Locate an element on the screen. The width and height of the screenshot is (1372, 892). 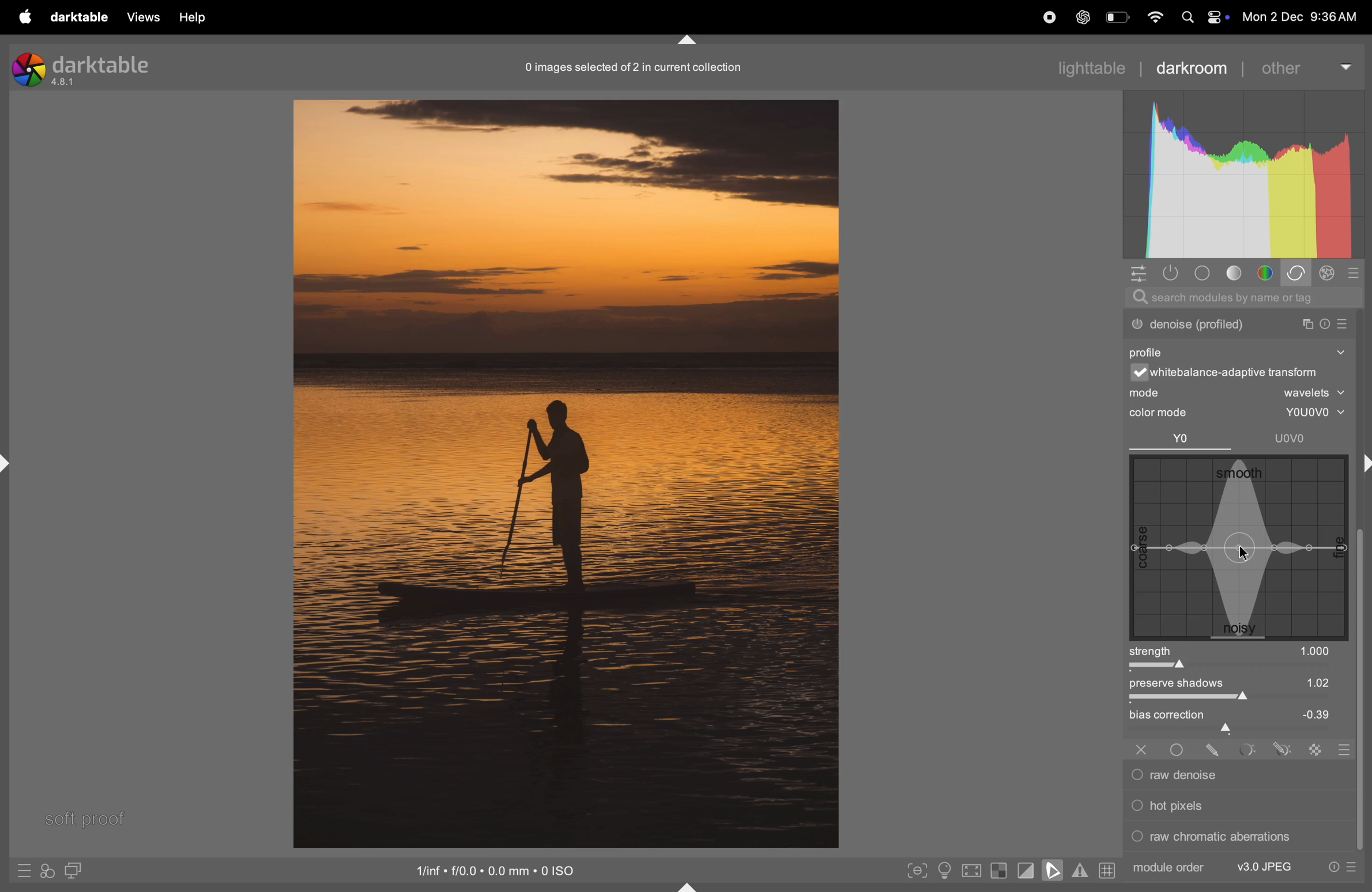
mode is located at coordinates (1239, 394).